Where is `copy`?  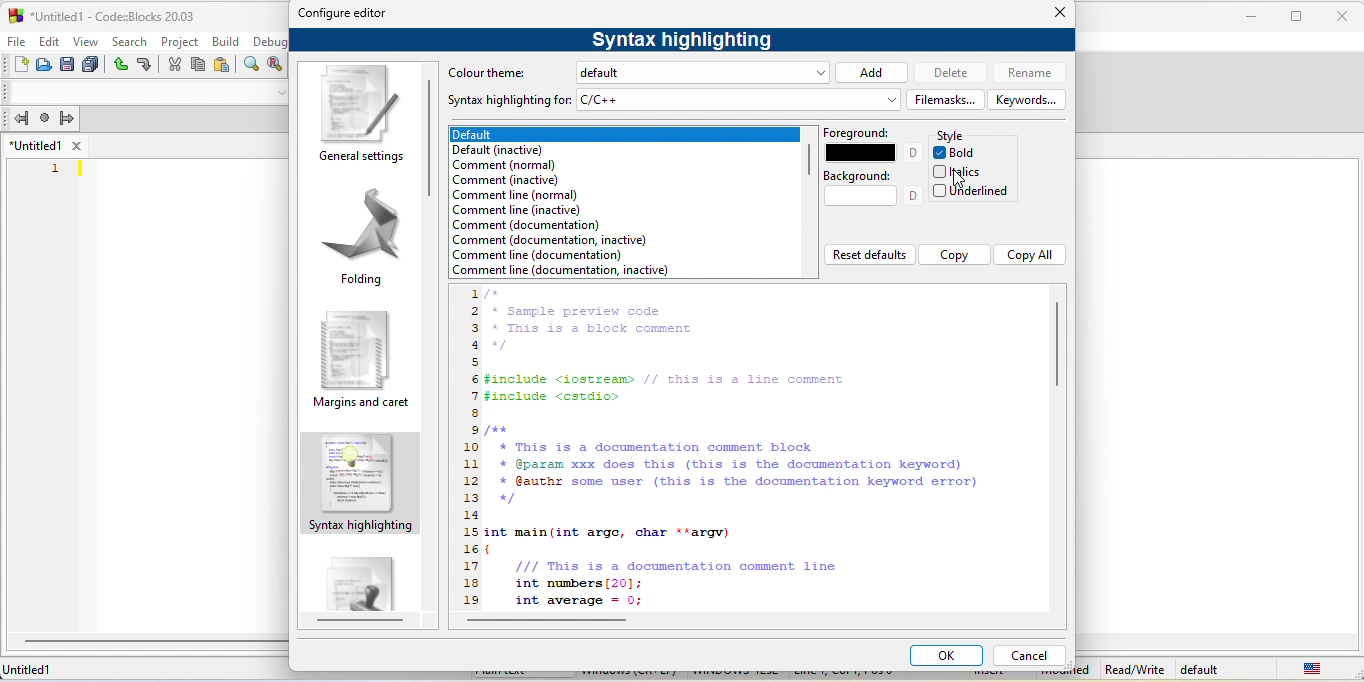
copy is located at coordinates (954, 255).